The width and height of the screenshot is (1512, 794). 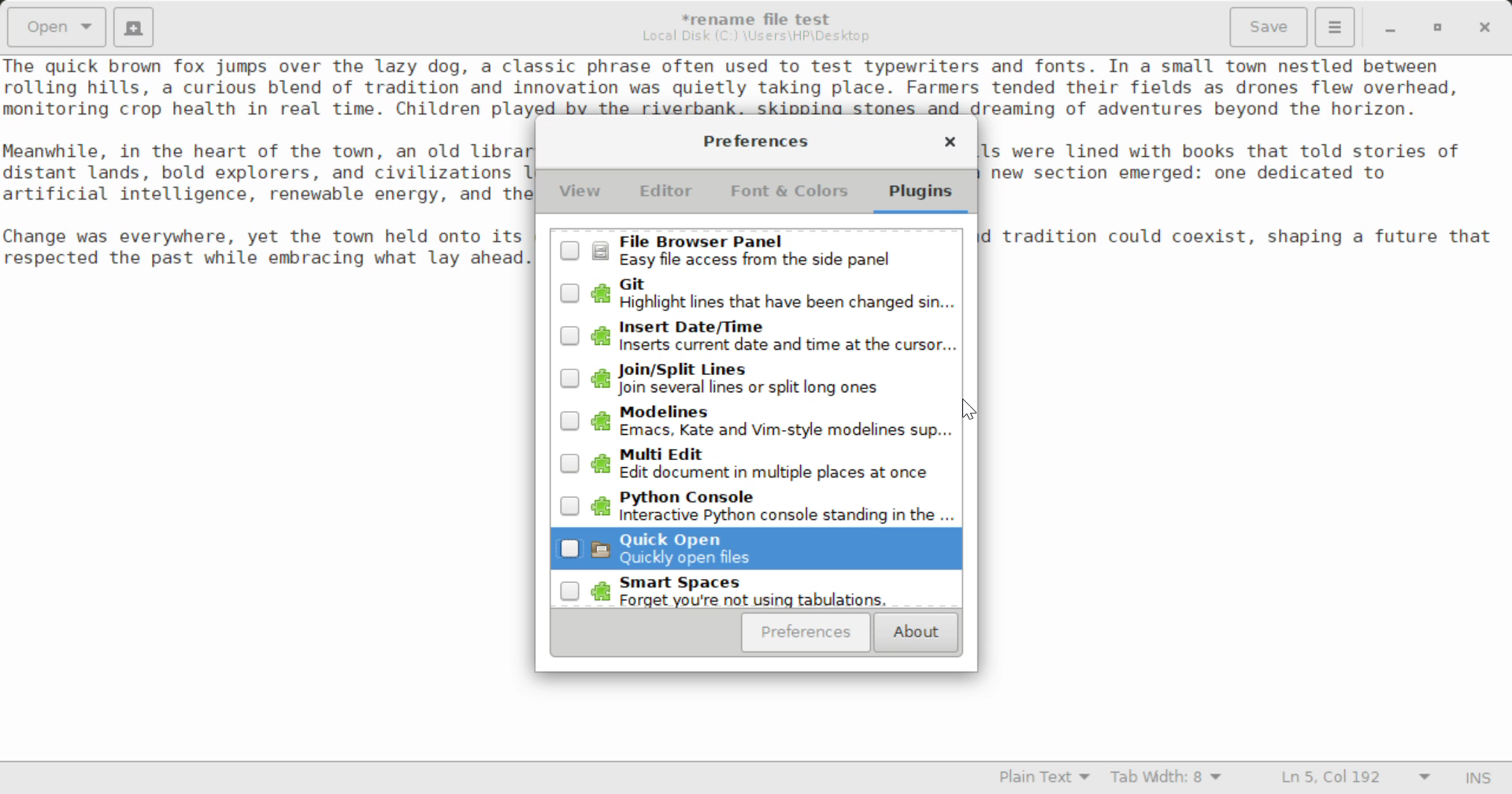 What do you see at coordinates (751, 422) in the screenshot?
I see `Modelines Plugin Unselected` at bounding box center [751, 422].